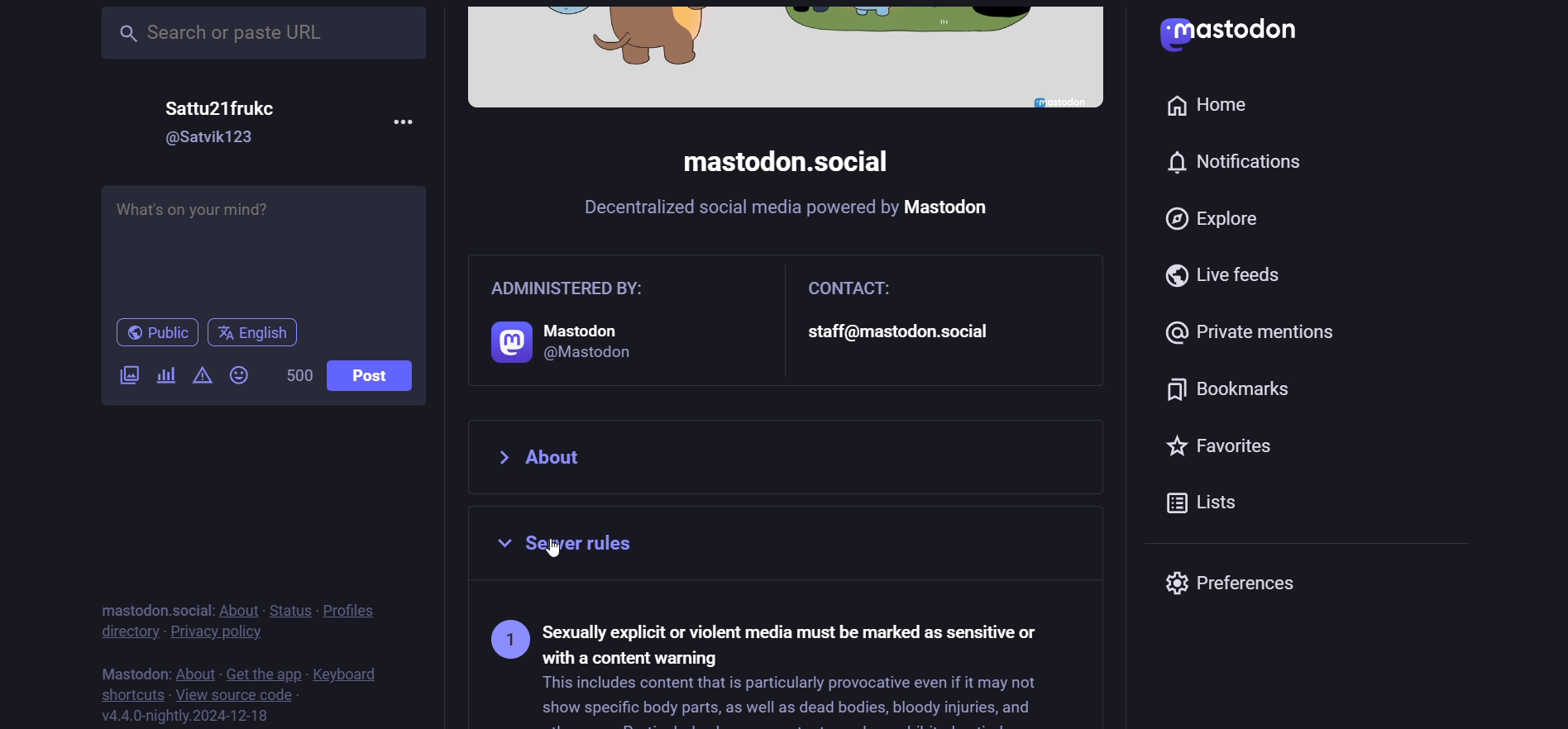 The width and height of the screenshot is (1568, 729). Describe the element at coordinates (234, 694) in the screenshot. I see `view source code` at that location.